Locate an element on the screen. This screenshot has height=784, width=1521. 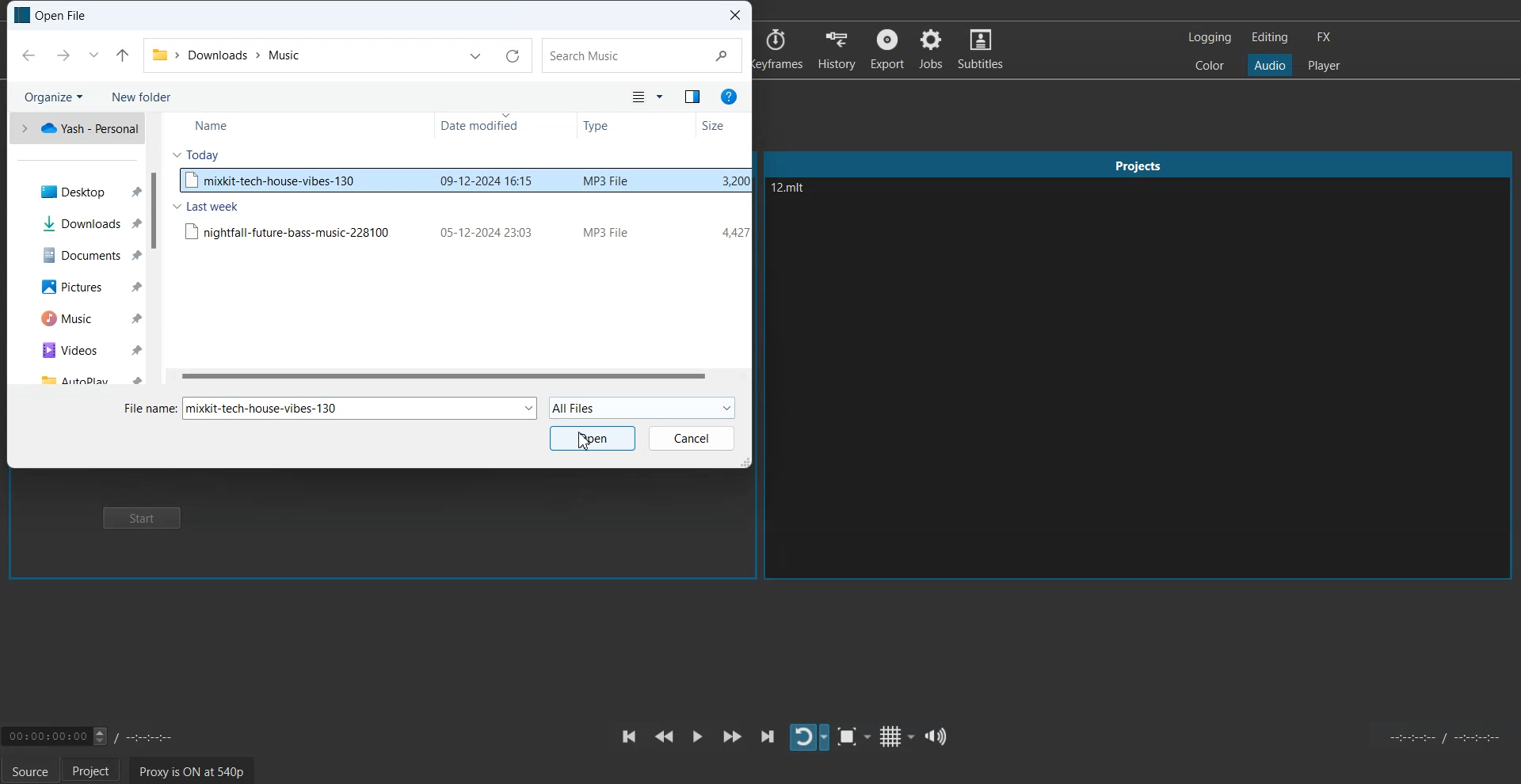
Color is located at coordinates (1210, 66).